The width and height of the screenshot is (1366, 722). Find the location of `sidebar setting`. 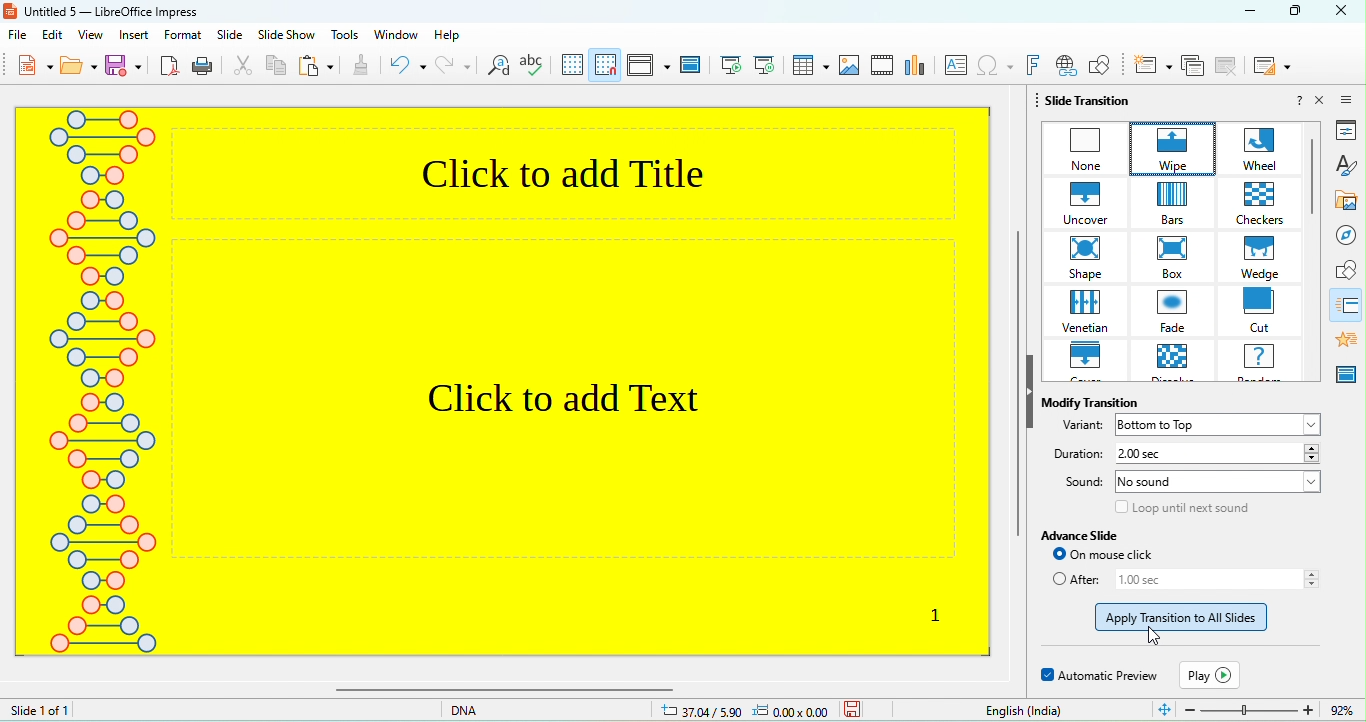

sidebar setting is located at coordinates (1351, 96).